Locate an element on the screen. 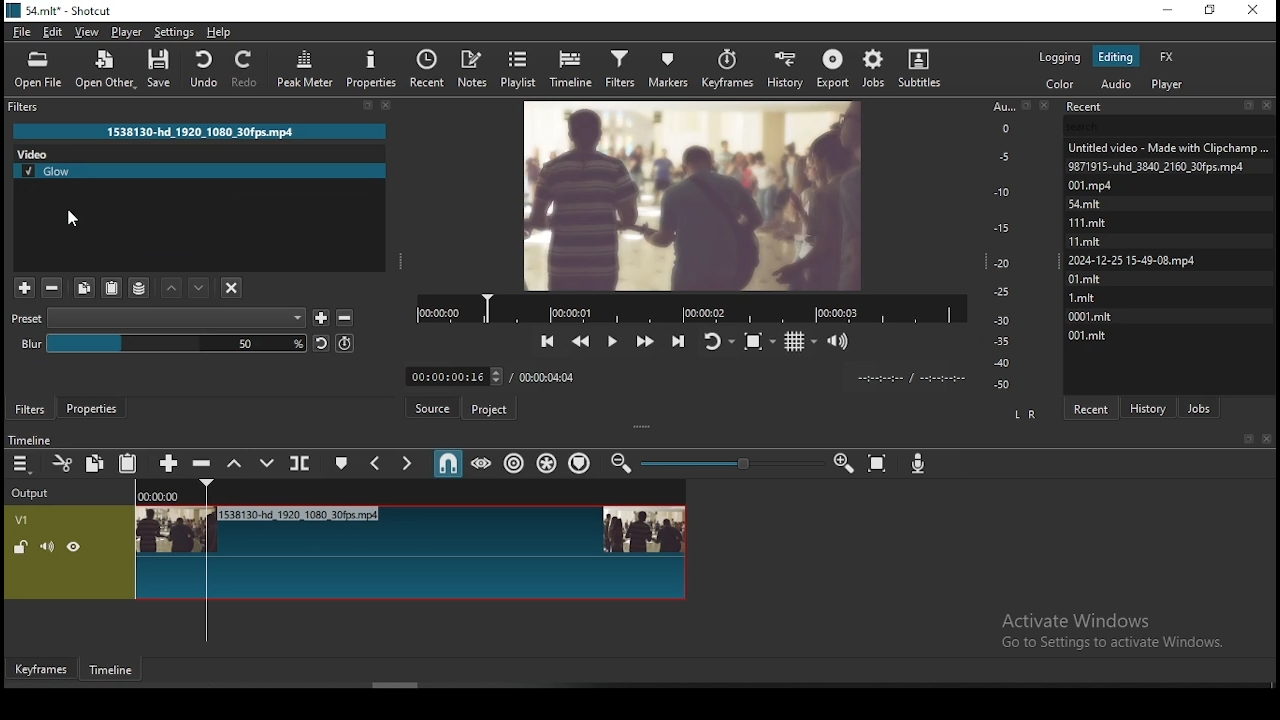 This screenshot has height=720, width=1280. minimize is located at coordinates (1166, 11).